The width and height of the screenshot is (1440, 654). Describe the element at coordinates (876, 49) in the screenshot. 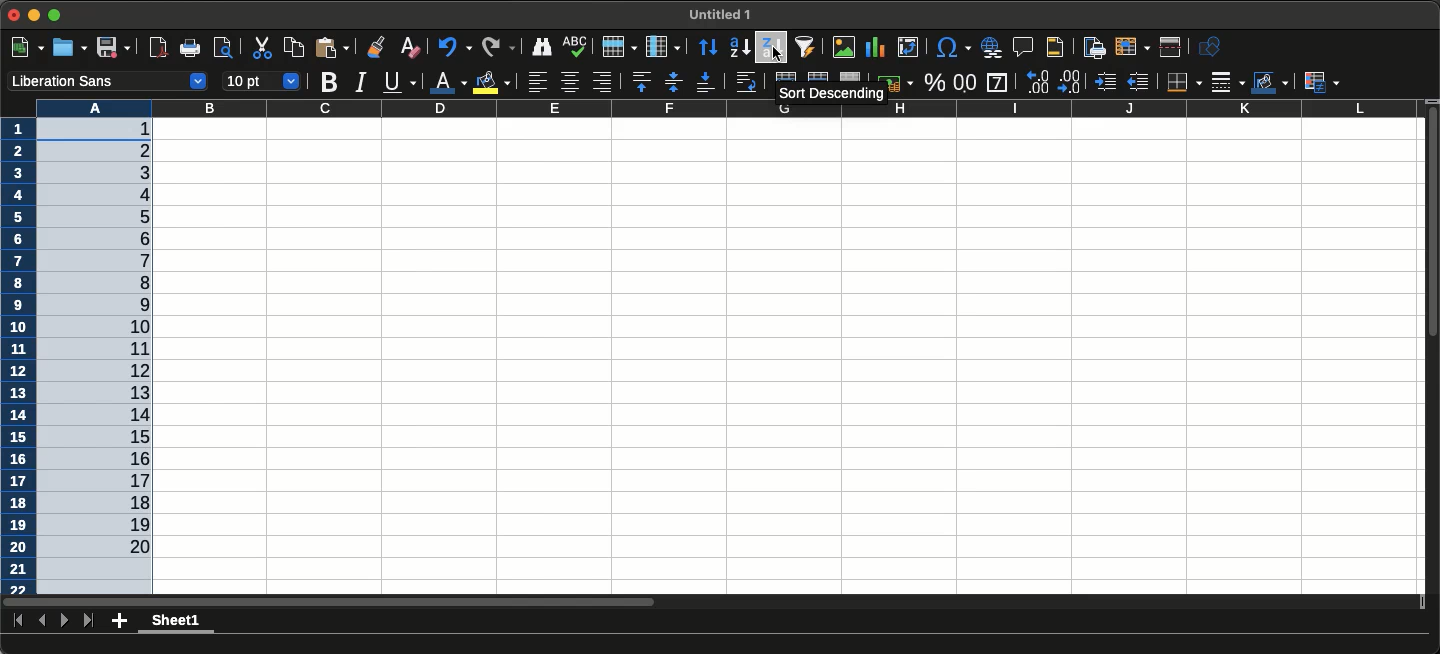

I see `Insert chart` at that location.